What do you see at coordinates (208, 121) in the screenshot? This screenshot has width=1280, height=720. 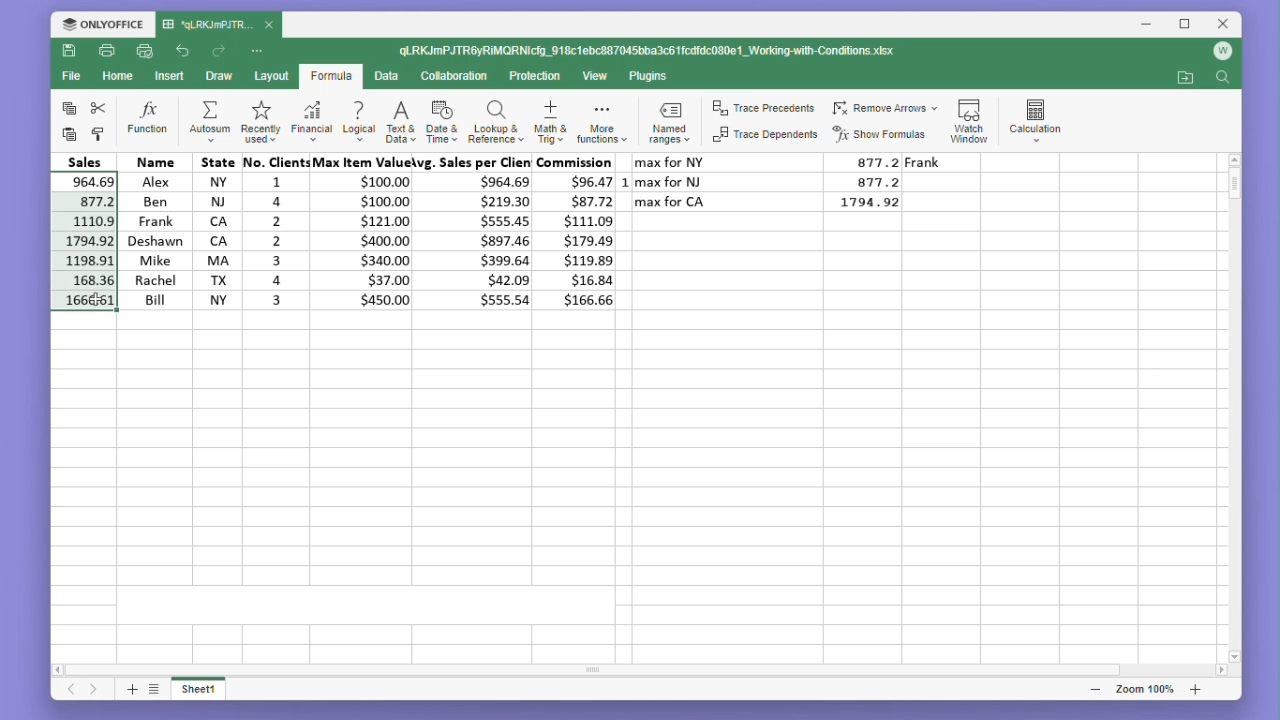 I see `Autosum` at bounding box center [208, 121].